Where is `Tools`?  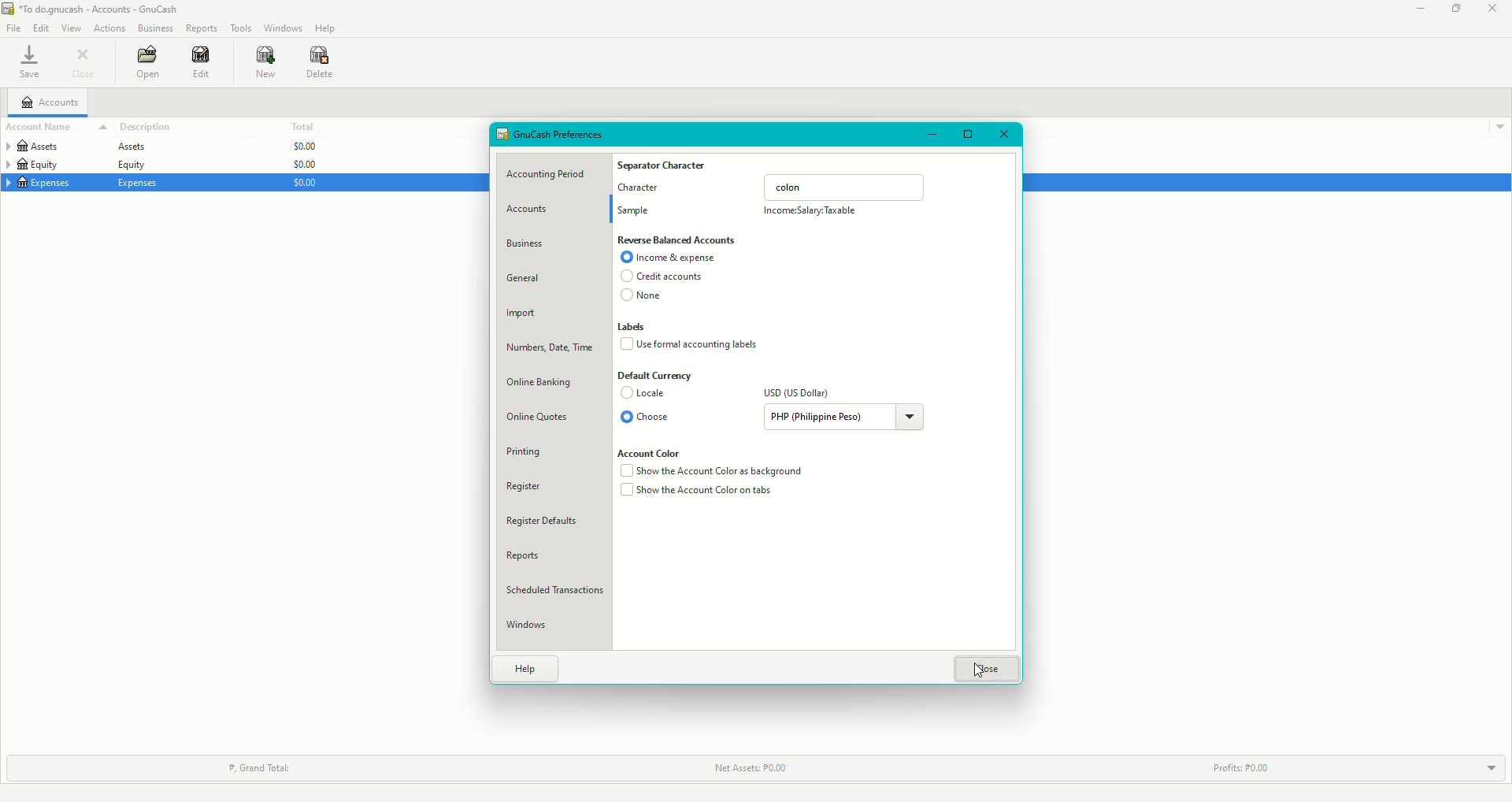
Tools is located at coordinates (241, 27).